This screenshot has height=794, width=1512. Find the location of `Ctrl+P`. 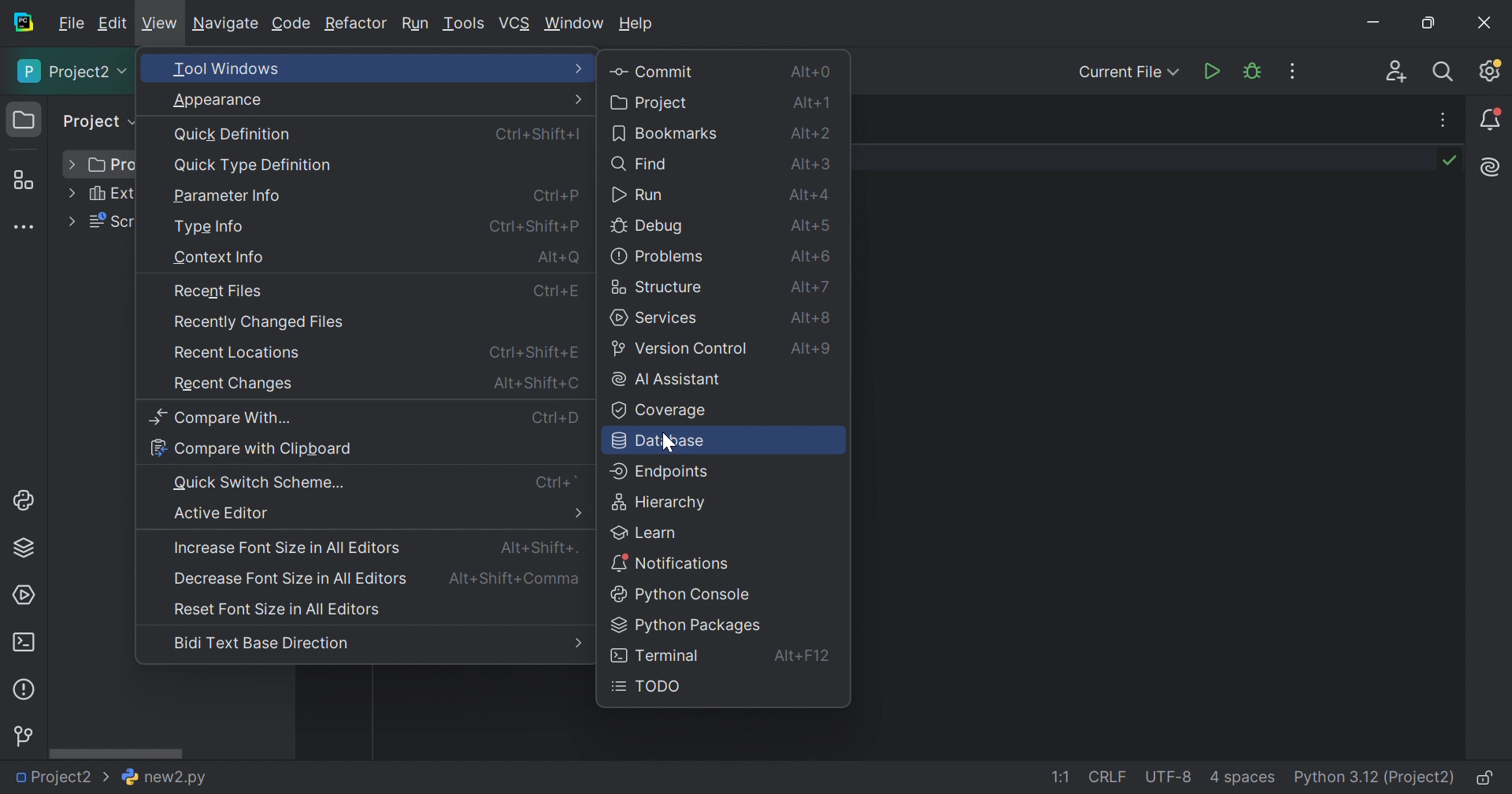

Ctrl+P is located at coordinates (554, 195).